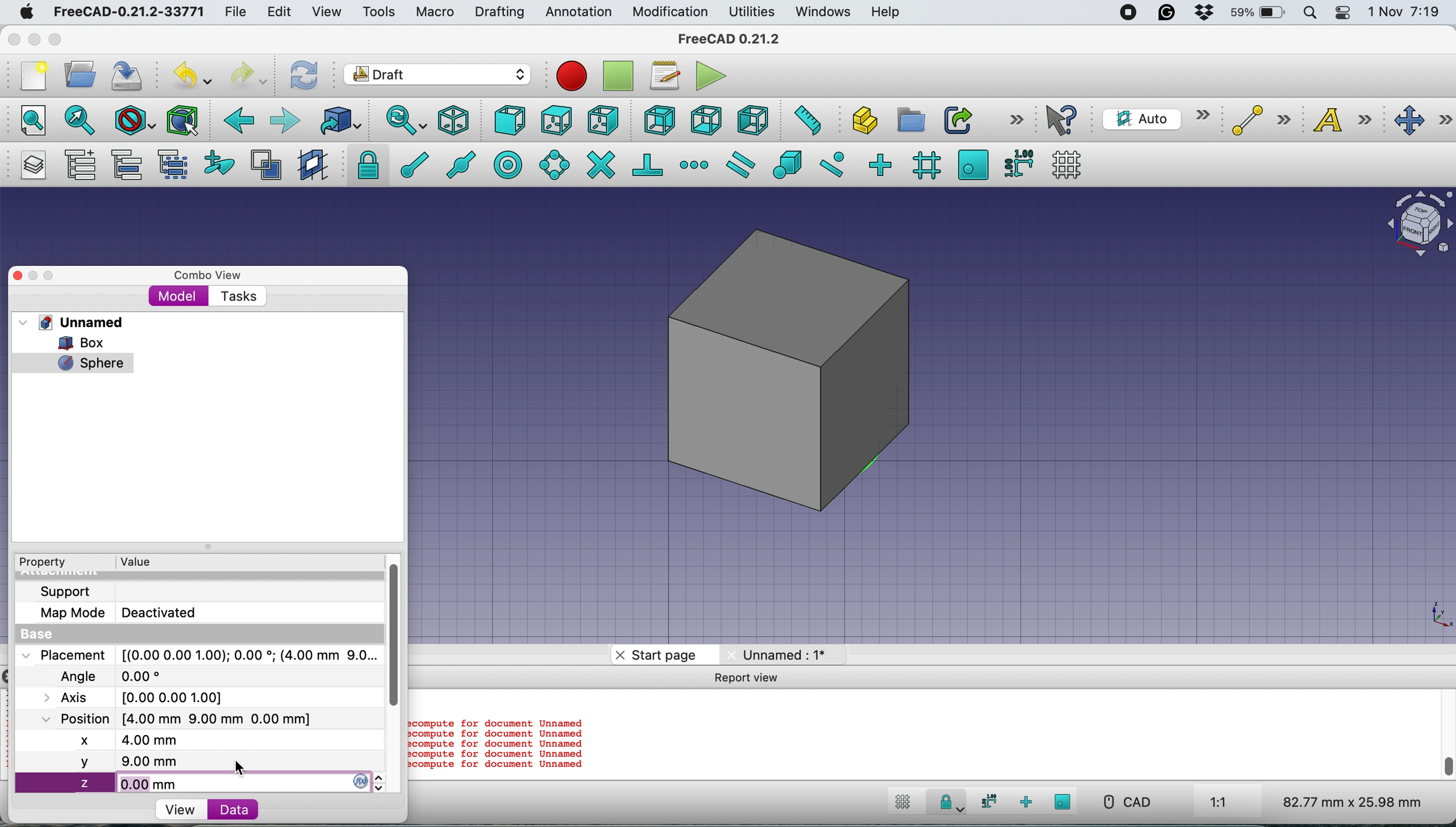 Image resolution: width=1456 pixels, height=827 pixels. I want to click on new x axis value, so click(122, 741).